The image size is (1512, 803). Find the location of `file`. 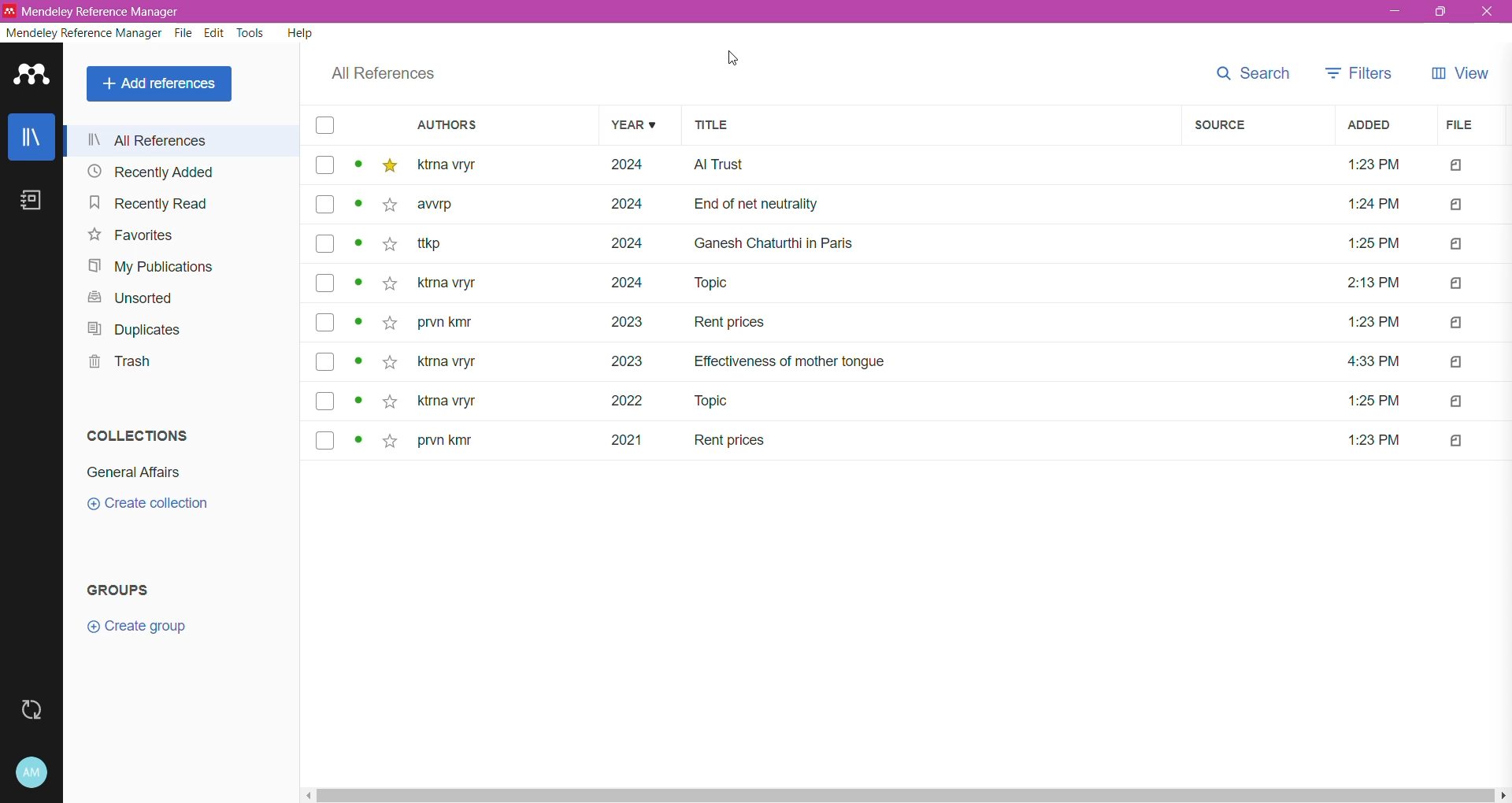

file is located at coordinates (1458, 125).